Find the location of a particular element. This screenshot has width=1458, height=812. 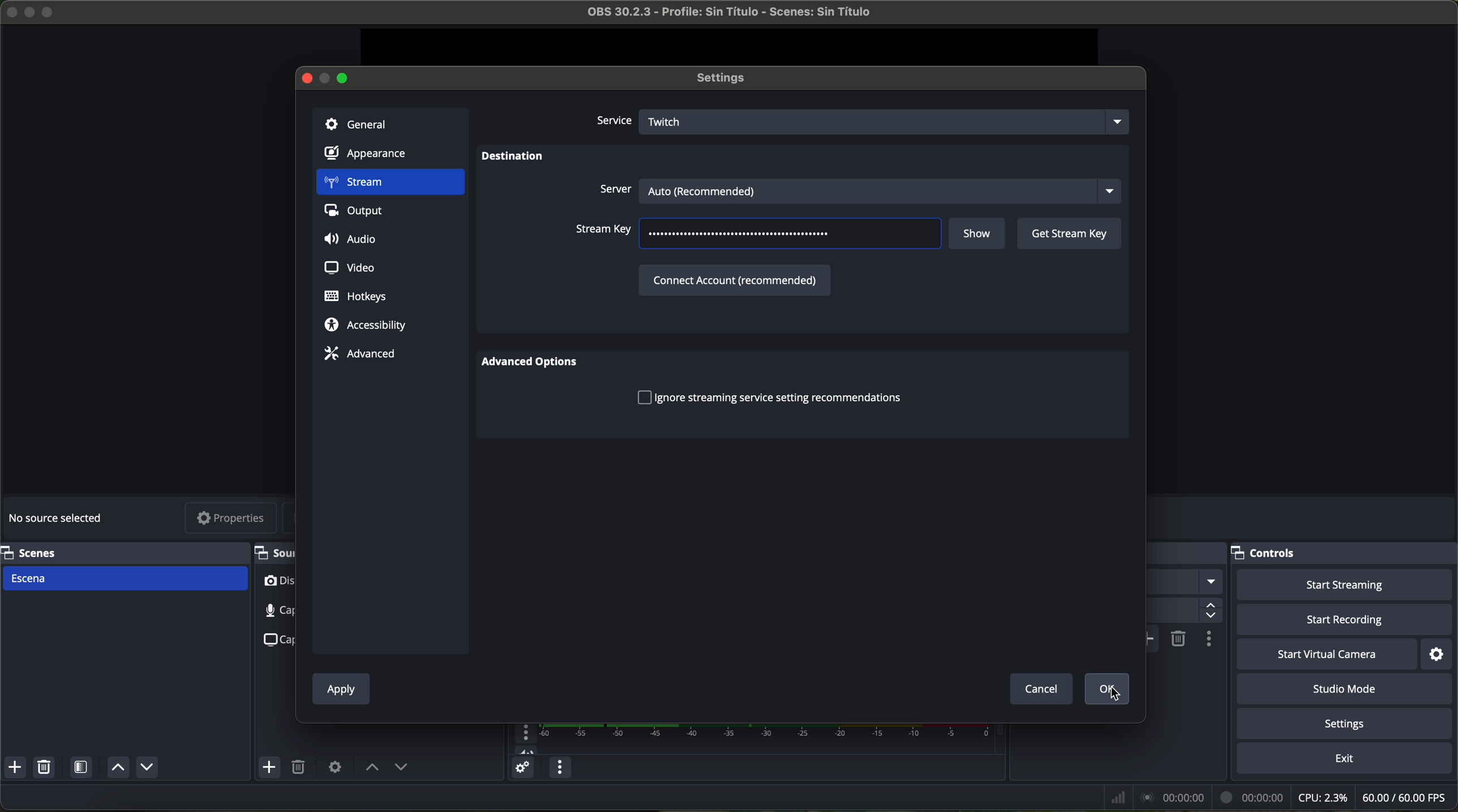

file name is located at coordinates (719, 14).